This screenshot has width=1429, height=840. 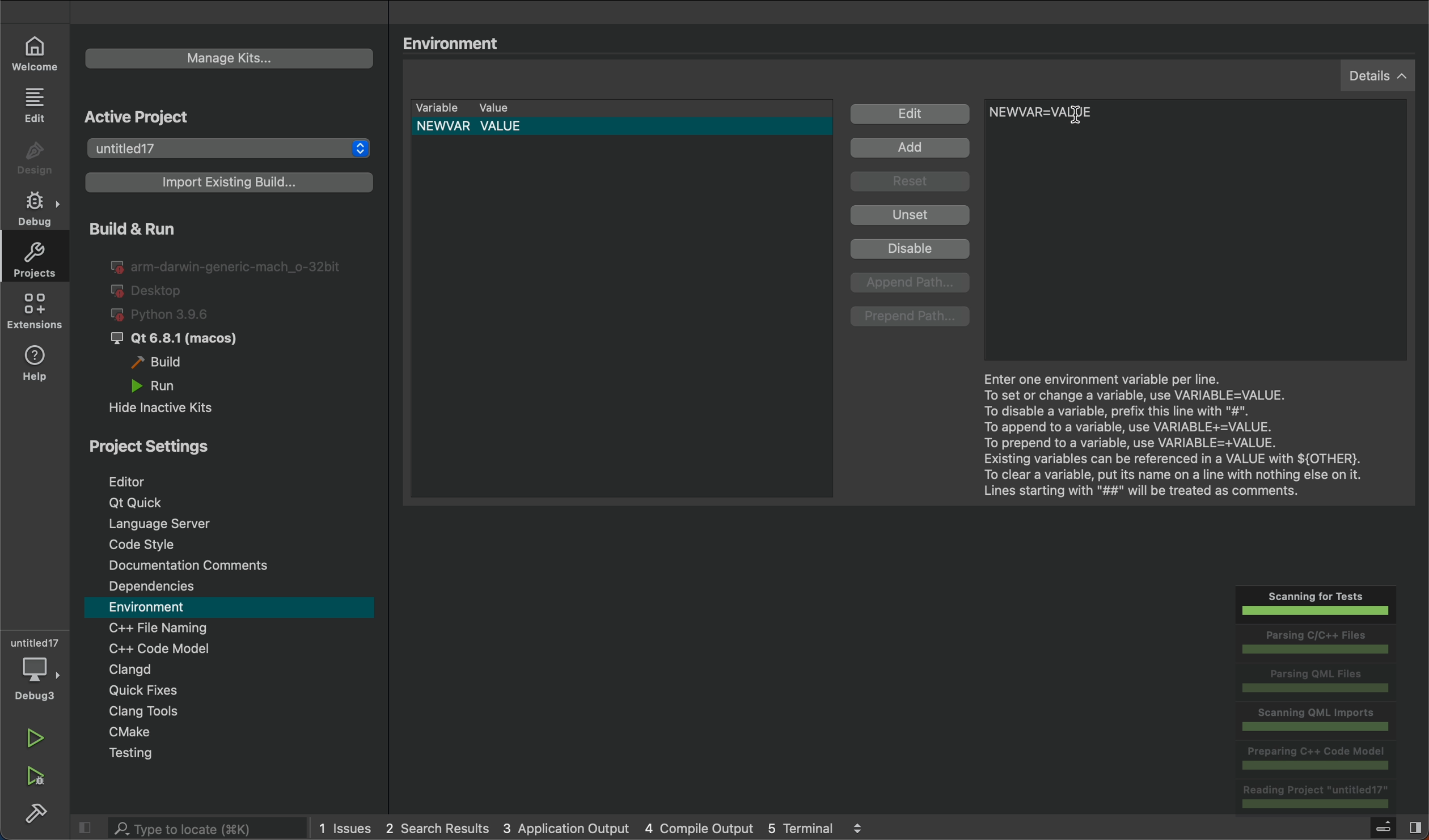 What do you see at coordinates (629, 126) in the screenshot?
I see `default variable` at bounding box center [629, 126].